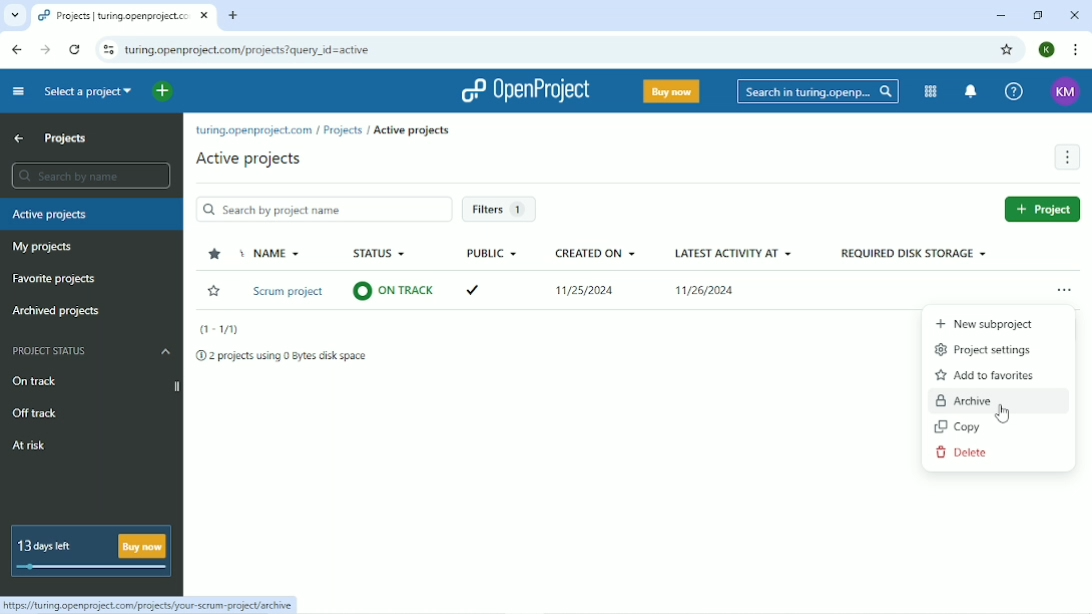 This screenshot has height=614, width=1092. Describe the element at coordinates (1038, 15) in the screenshot. I see `Window size toggle` at that location.